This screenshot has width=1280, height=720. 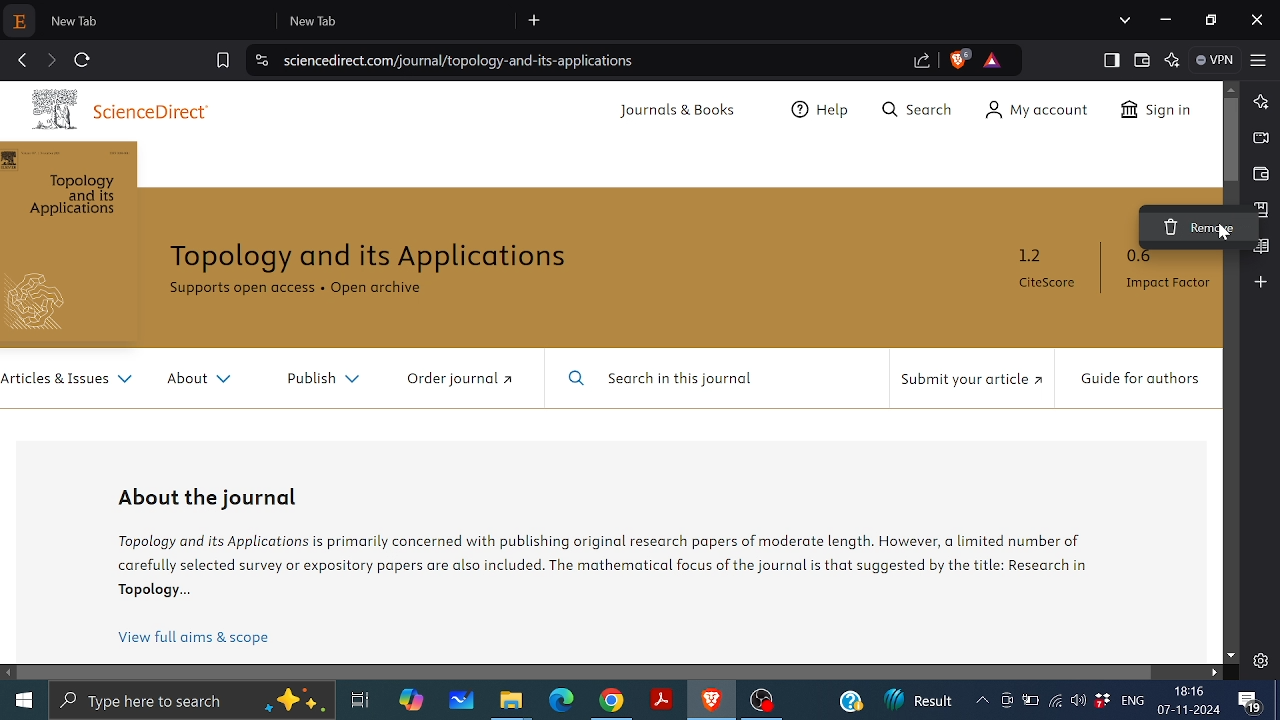 I want to click on Close window, so click(x=1257, y=19).